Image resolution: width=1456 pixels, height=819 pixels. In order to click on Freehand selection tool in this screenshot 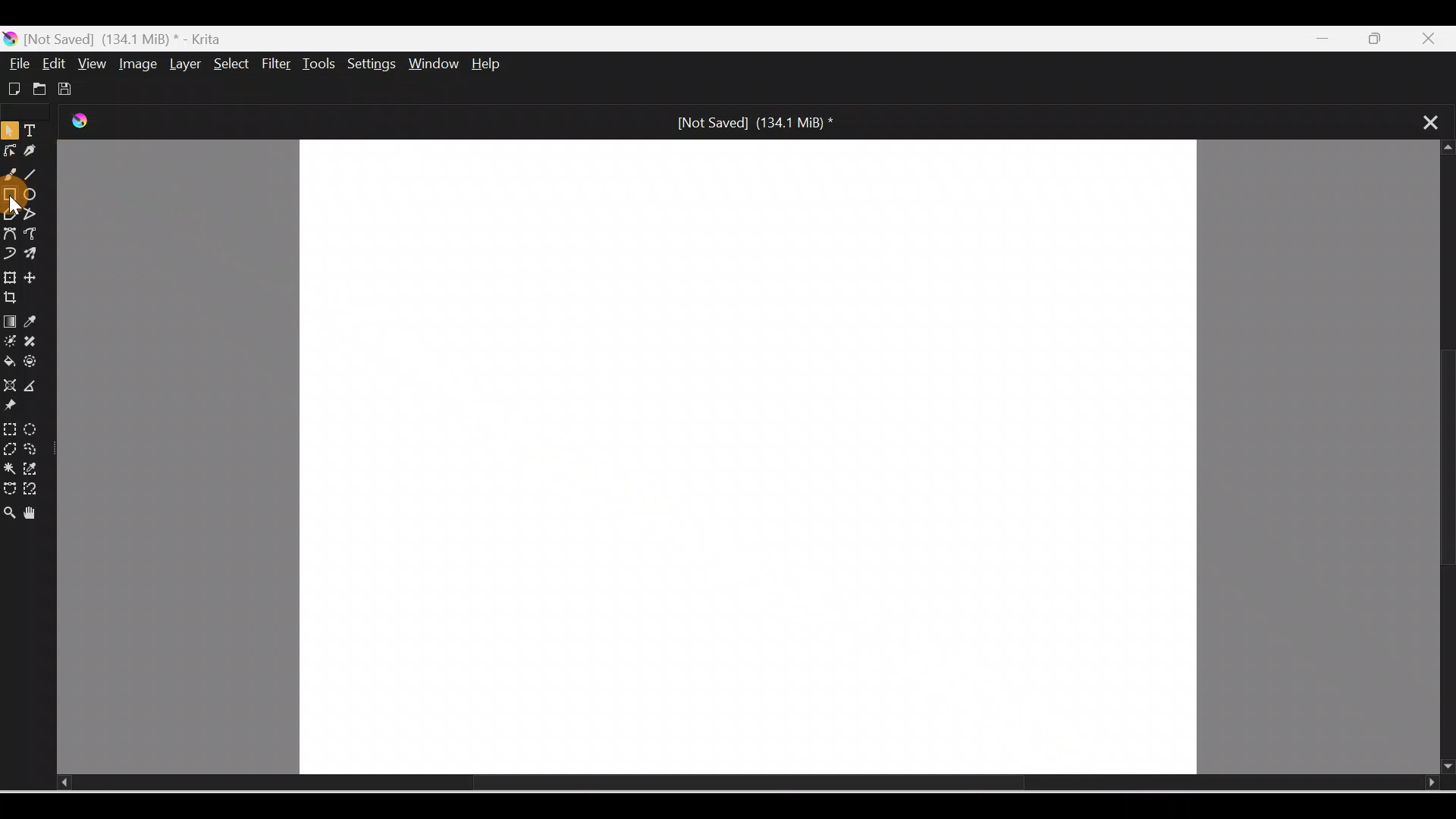, I will do `click(35, 449)`.